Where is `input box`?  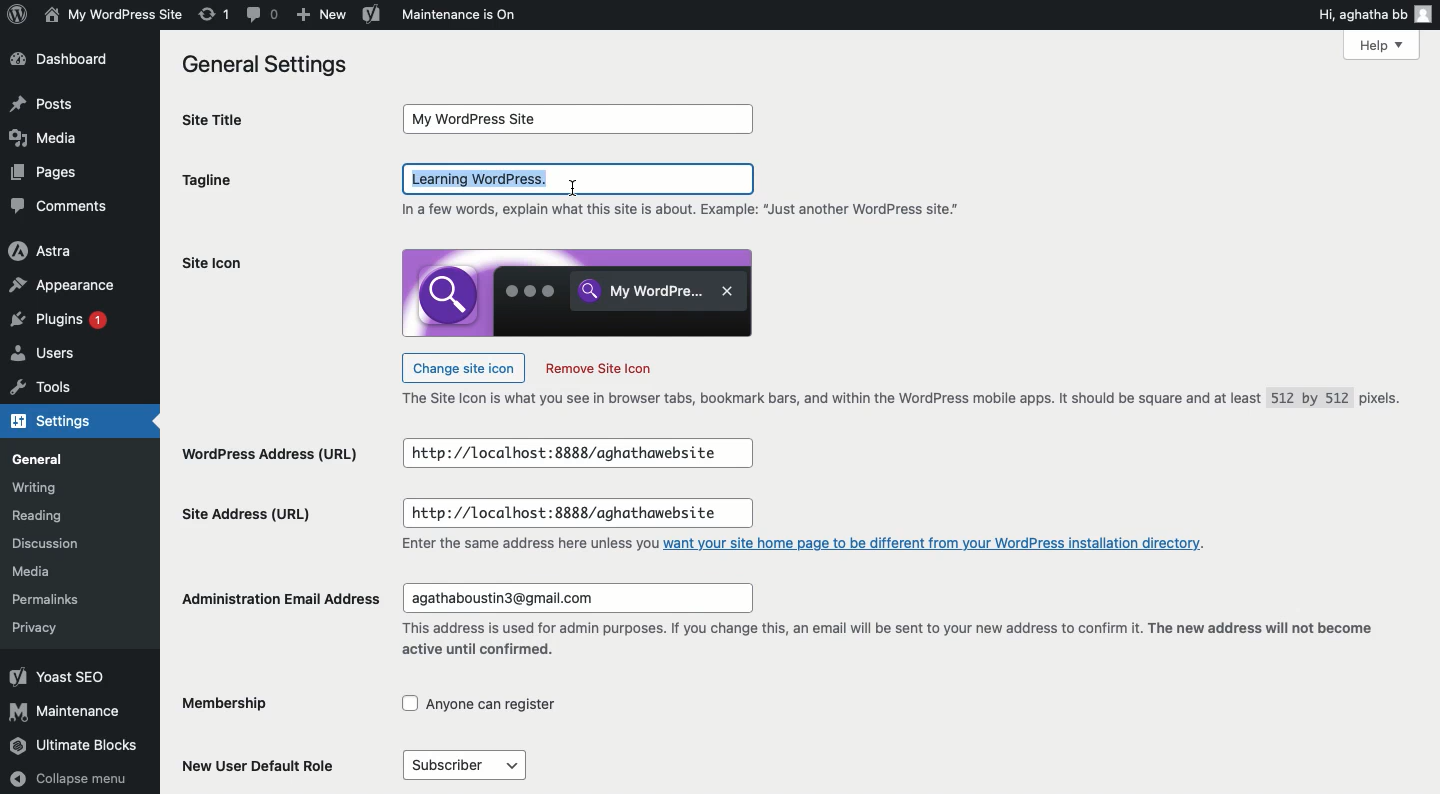
input box is located at coordinates (577, 514).